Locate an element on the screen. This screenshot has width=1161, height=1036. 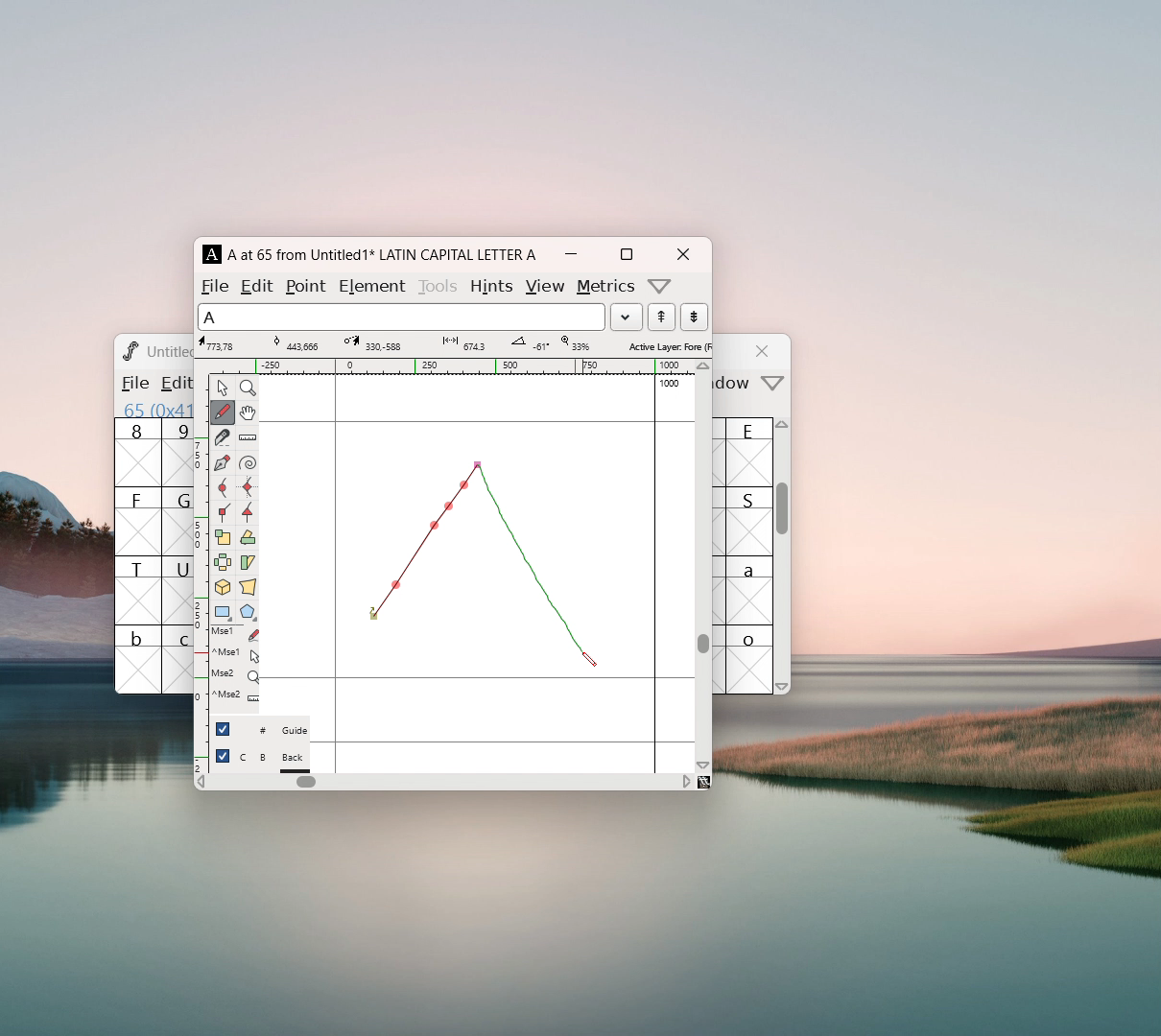
S is located at coordinates (749, 521).